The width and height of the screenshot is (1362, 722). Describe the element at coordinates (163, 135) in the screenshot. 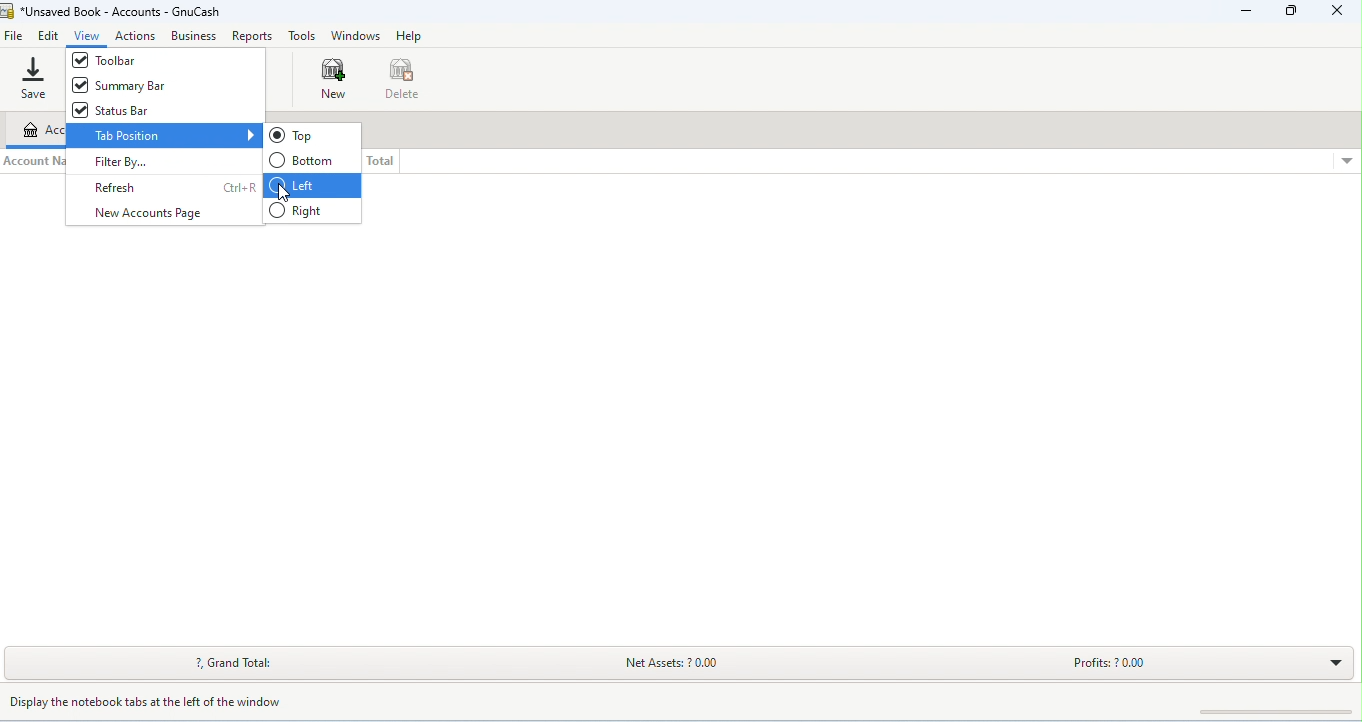

I see `tab position` at that location.